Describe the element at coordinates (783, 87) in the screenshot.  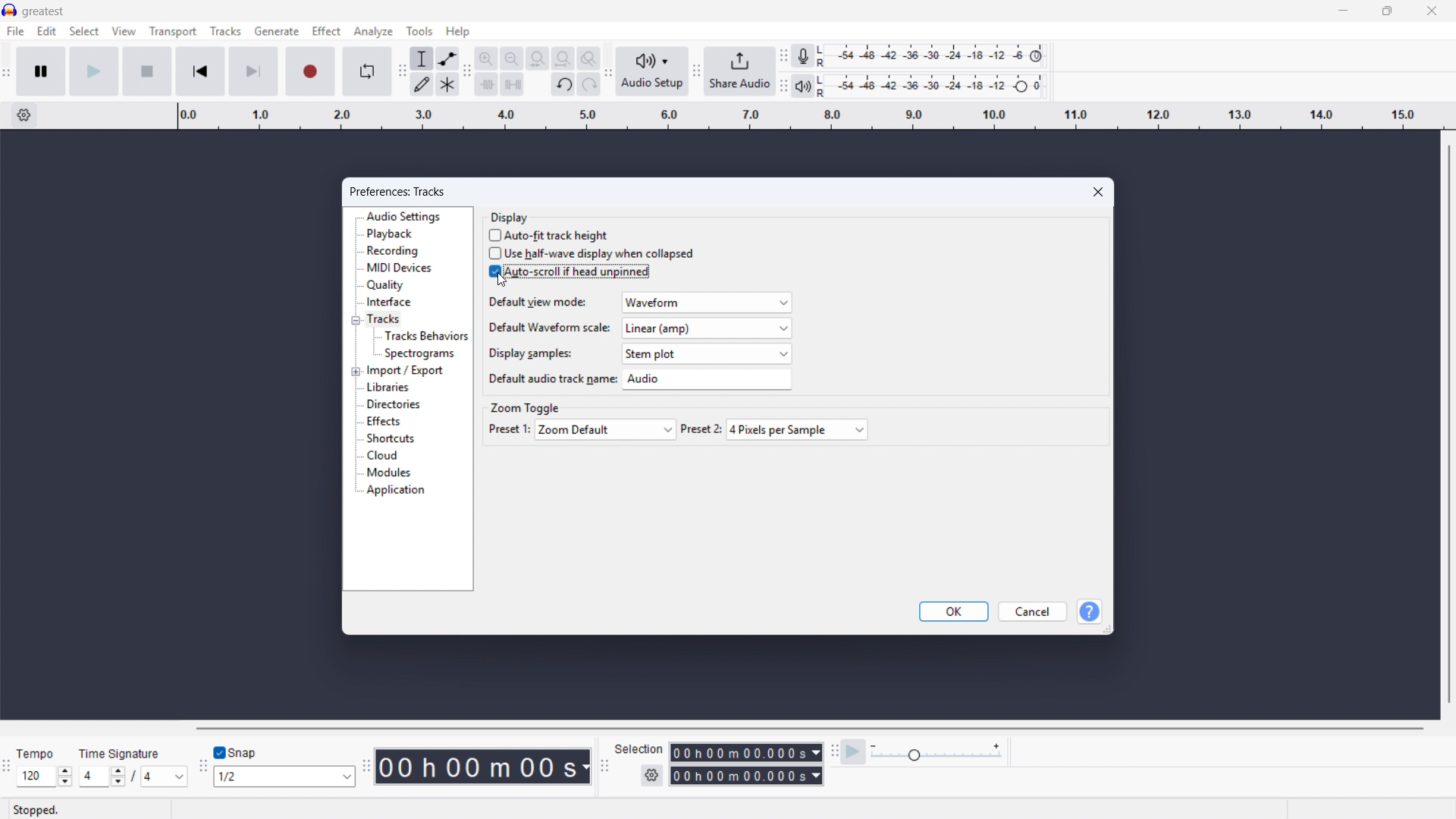
I see `playback metre toolbar` at that location.